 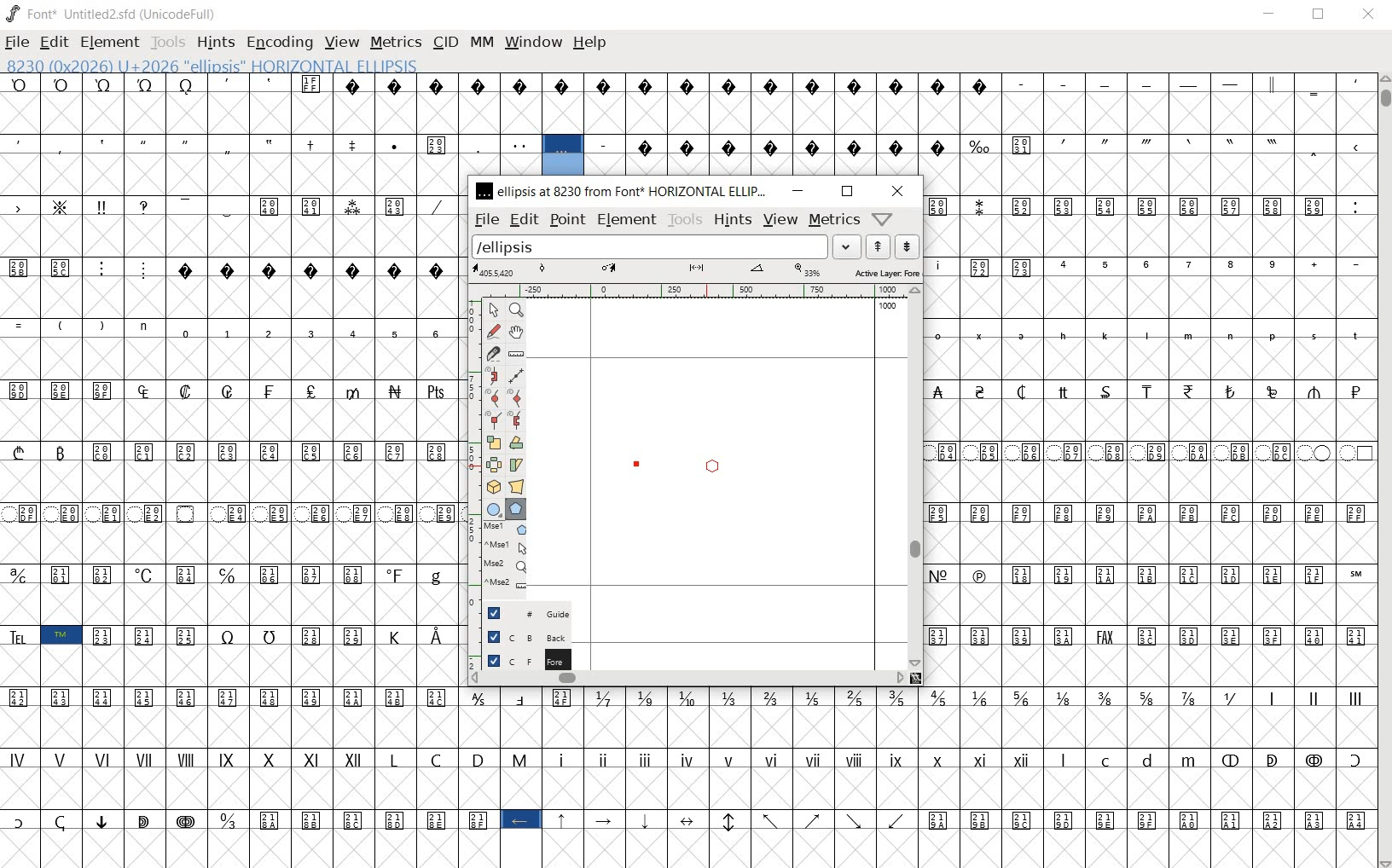 What do you see at coordinates (521, 635) in the screenshot?
I see `background` at bounding box center [521, 635].